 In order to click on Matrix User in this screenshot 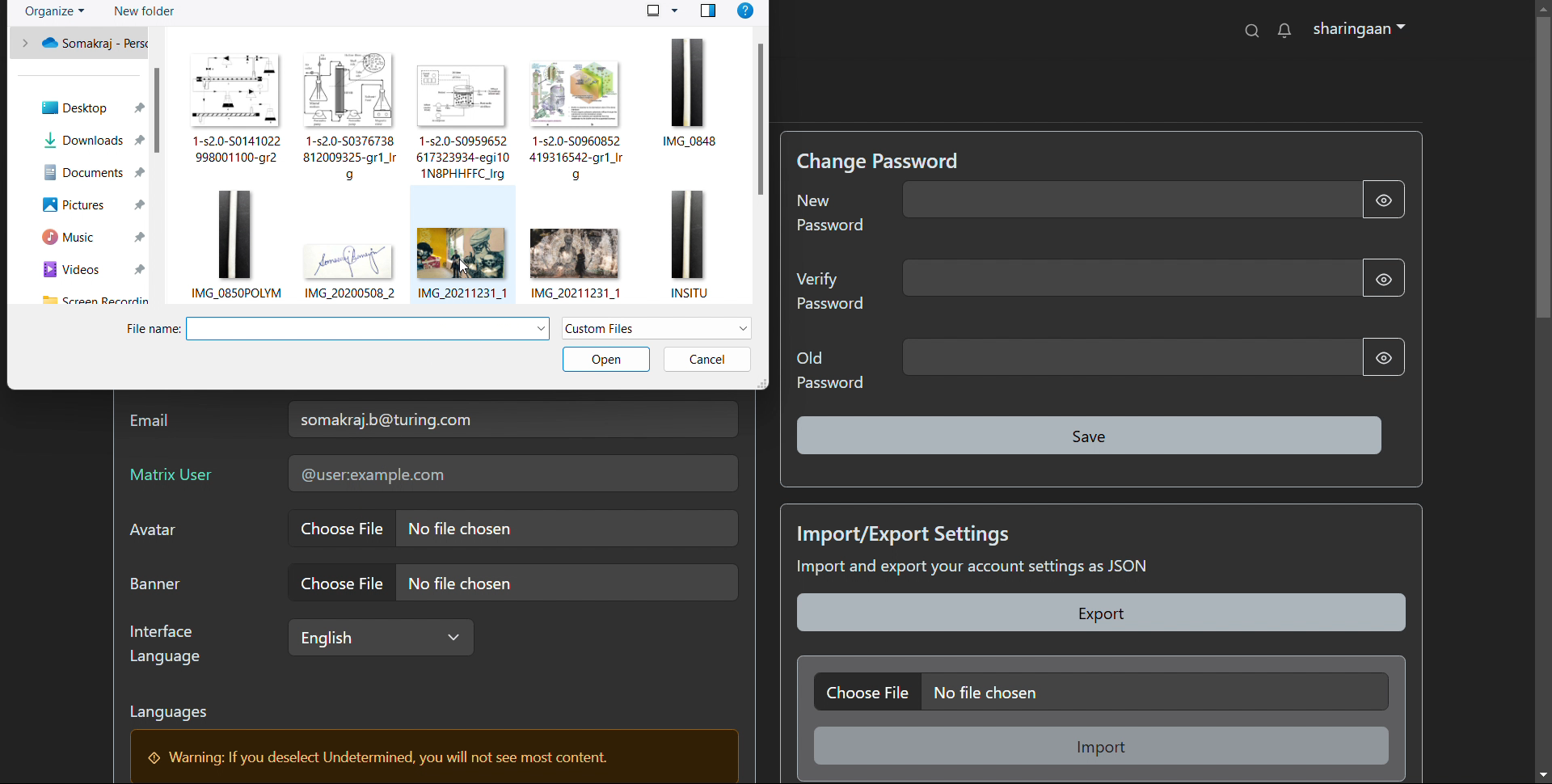, I will do `click(176, 478)`.